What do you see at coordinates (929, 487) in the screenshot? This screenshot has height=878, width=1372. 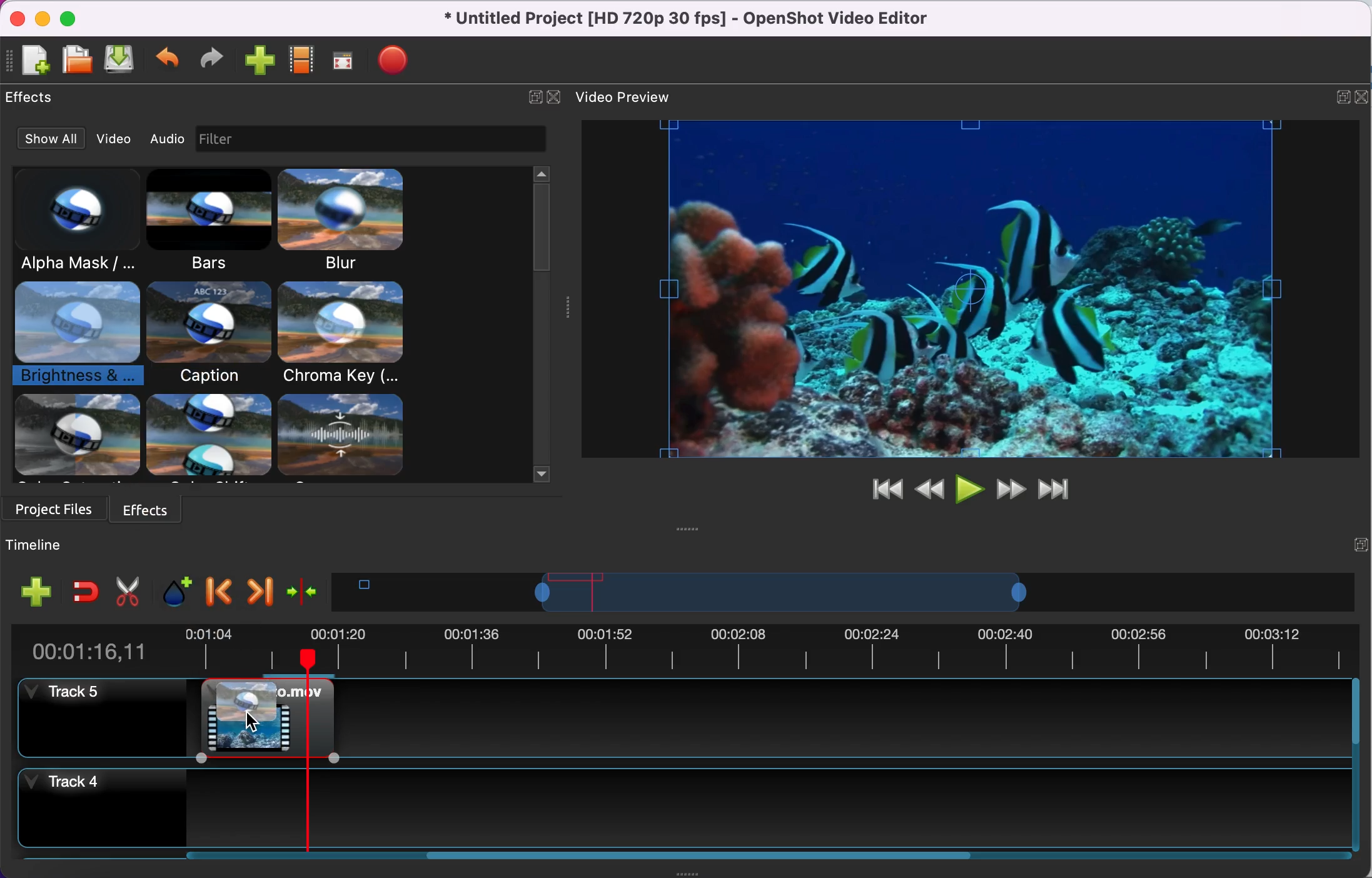 I see `review` at bounding box center [929, 487].